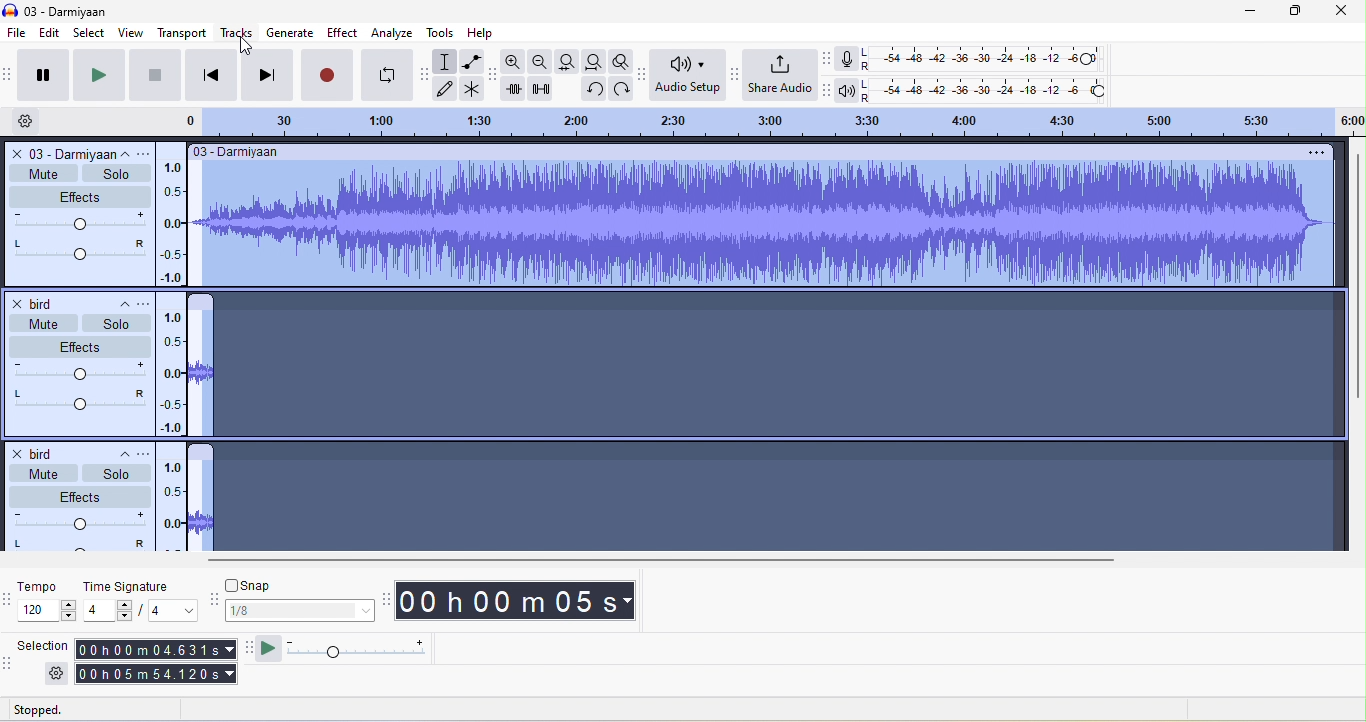 The height and width of the screenshot is (722, 1366). I want to click on audacity snapping toolbar, so click(212, 600).